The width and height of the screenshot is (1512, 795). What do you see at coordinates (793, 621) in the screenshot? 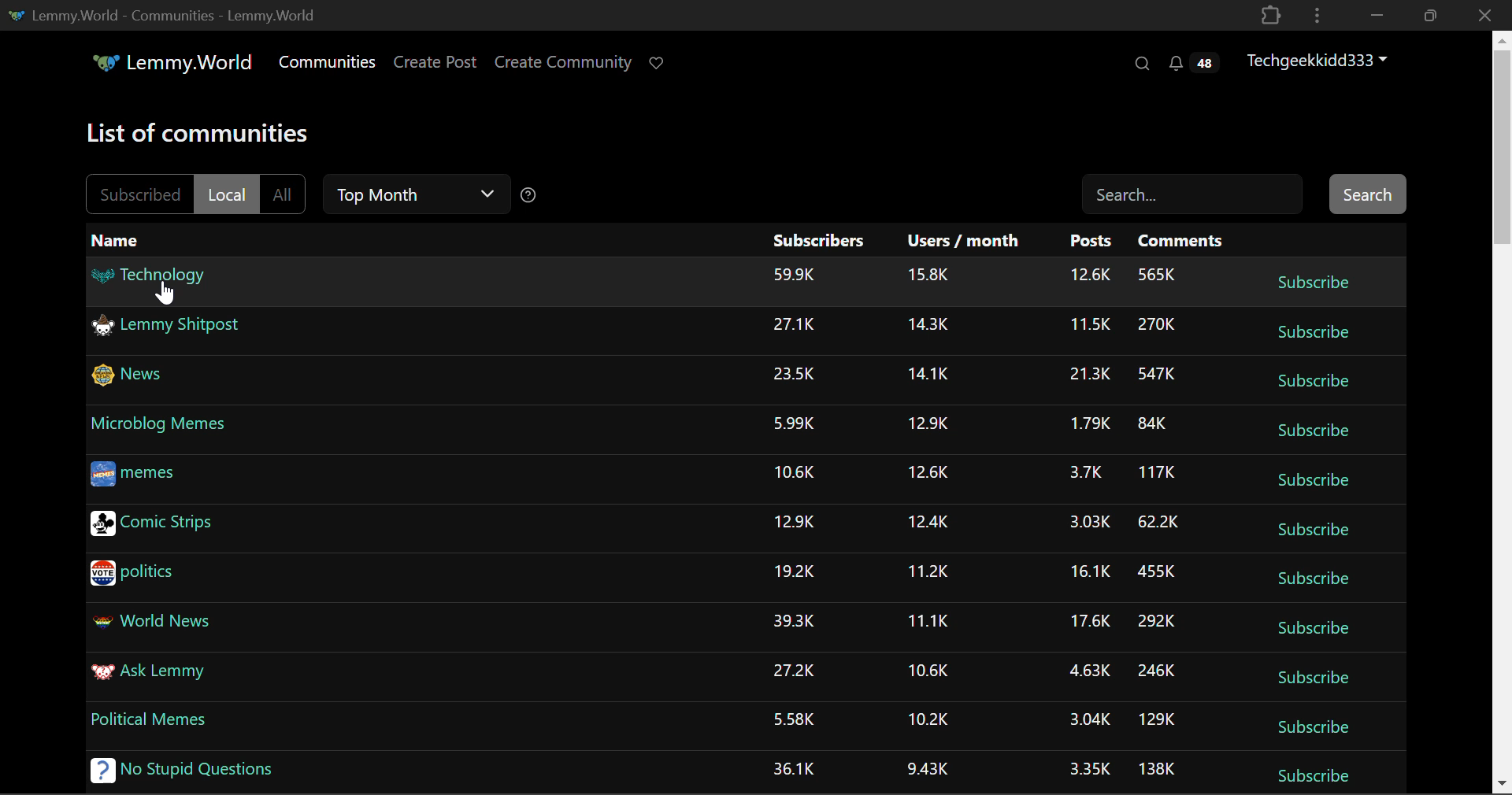
I see `Amount ` at bounding box center [793, 621].